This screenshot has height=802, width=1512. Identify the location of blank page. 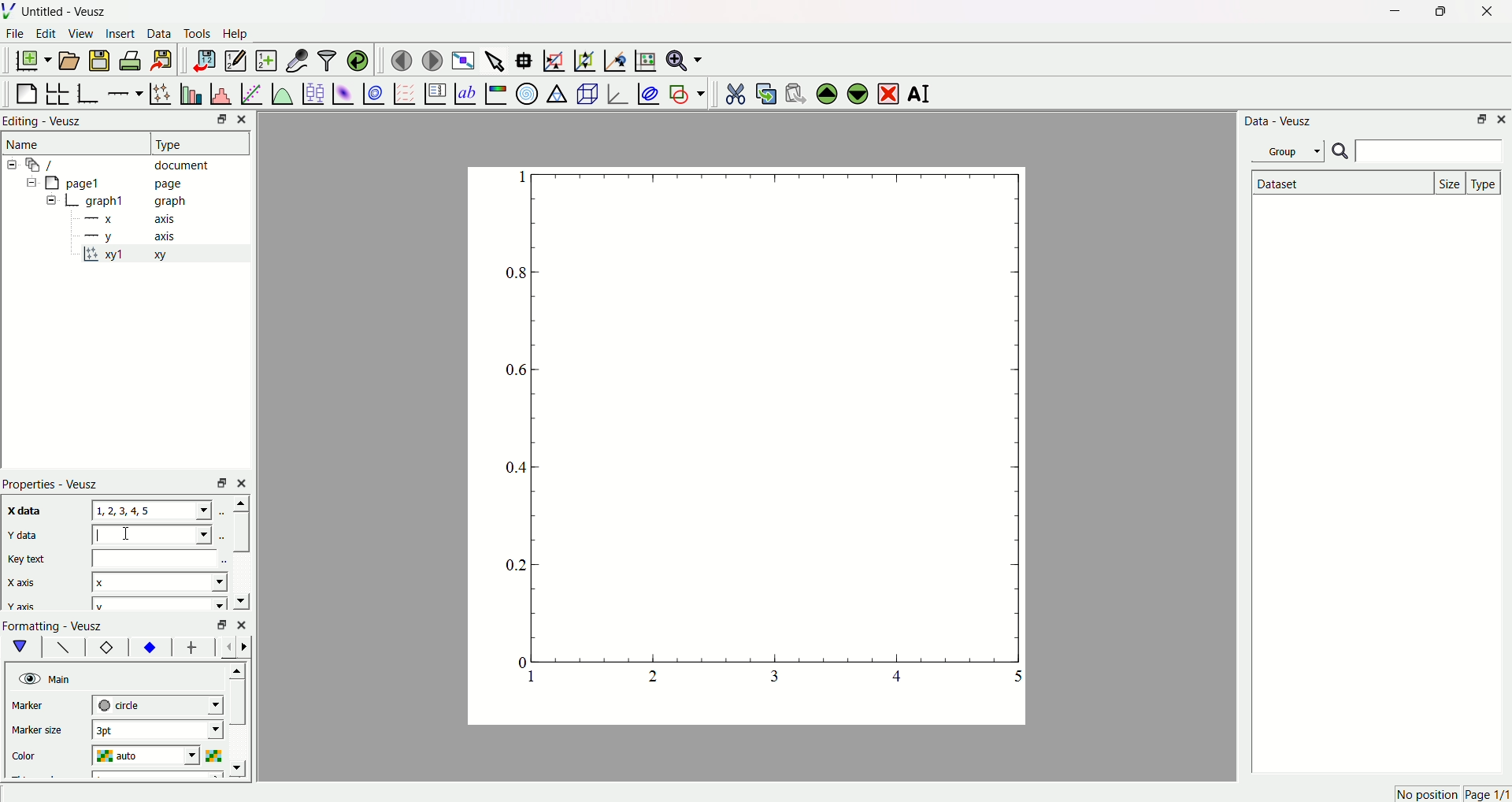
(28, 90).